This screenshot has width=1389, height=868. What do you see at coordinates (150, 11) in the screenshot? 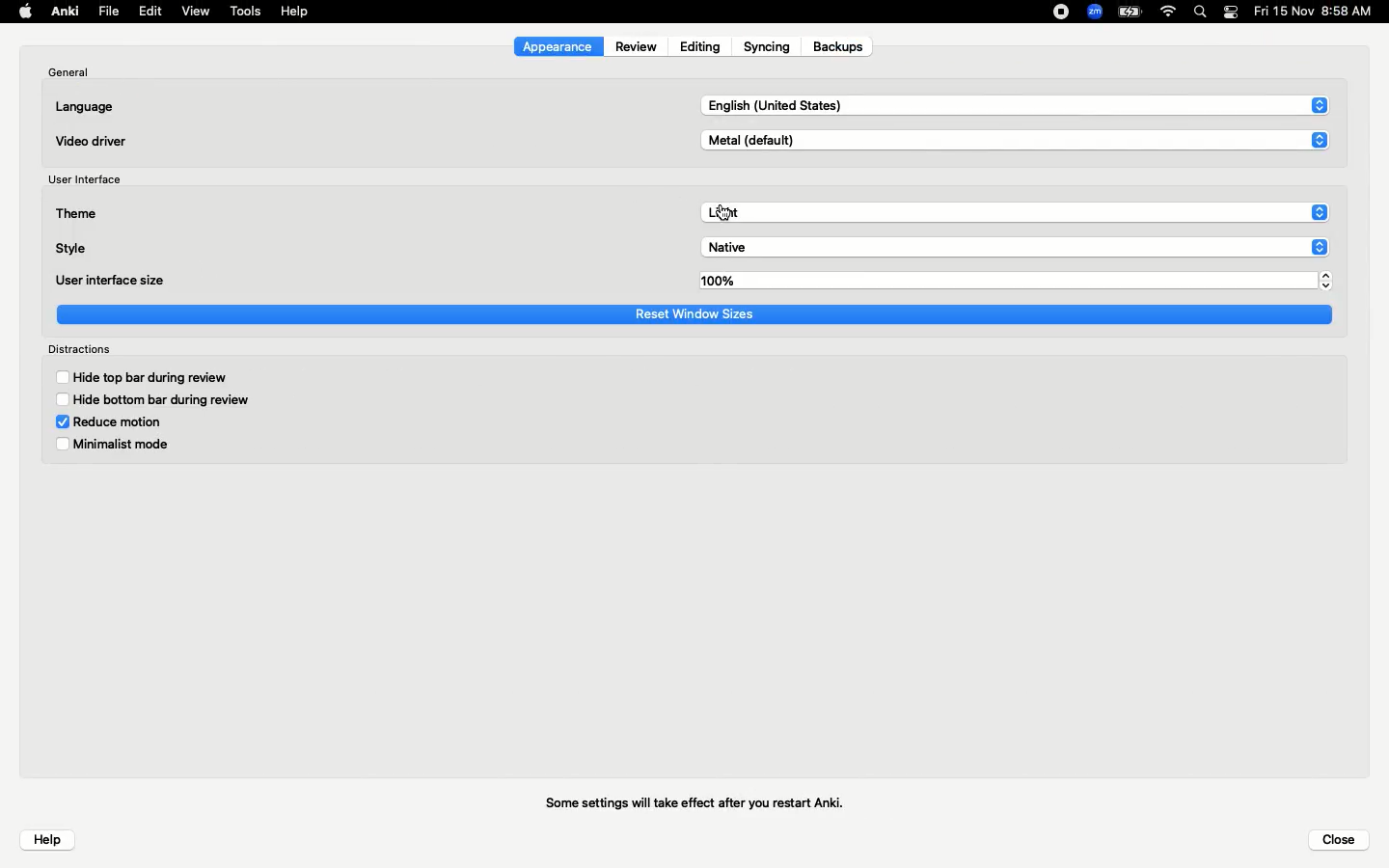
I see `Edit` at bounding box center [150, 11].